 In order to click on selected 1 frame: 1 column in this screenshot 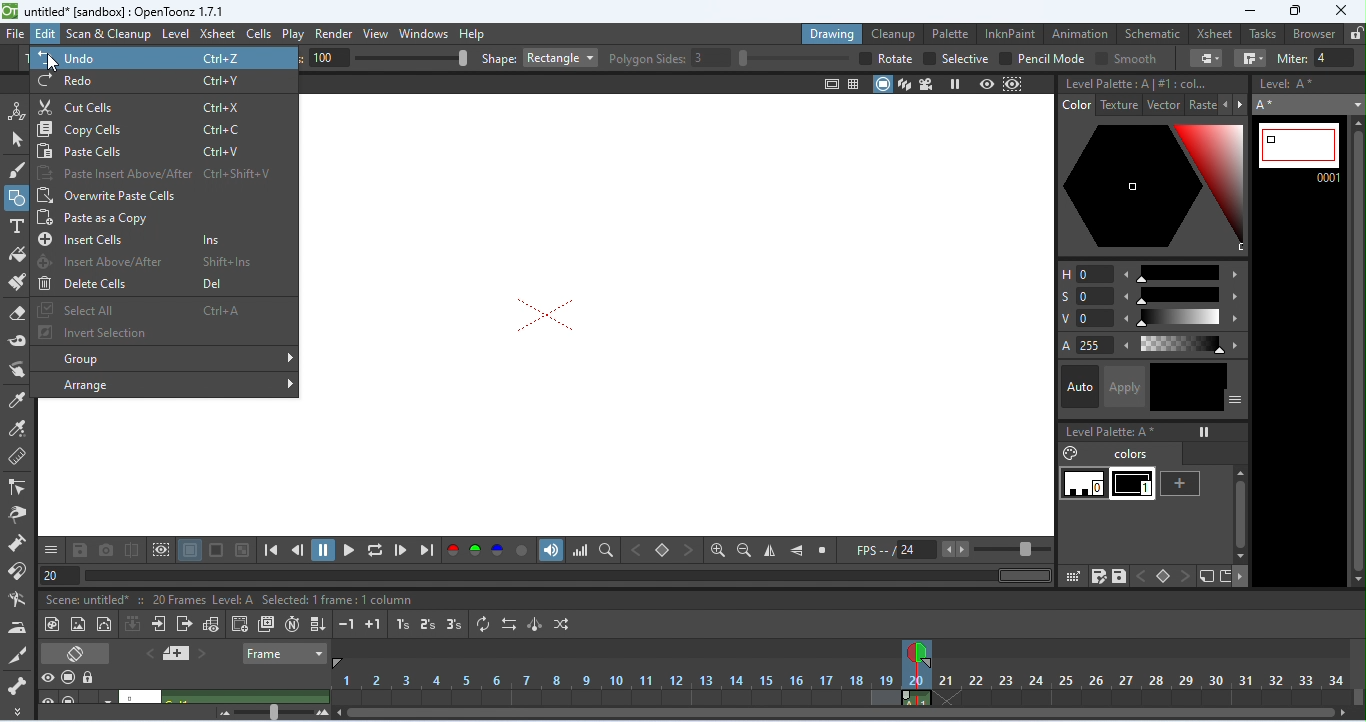, I will do `click(339, 599)`.